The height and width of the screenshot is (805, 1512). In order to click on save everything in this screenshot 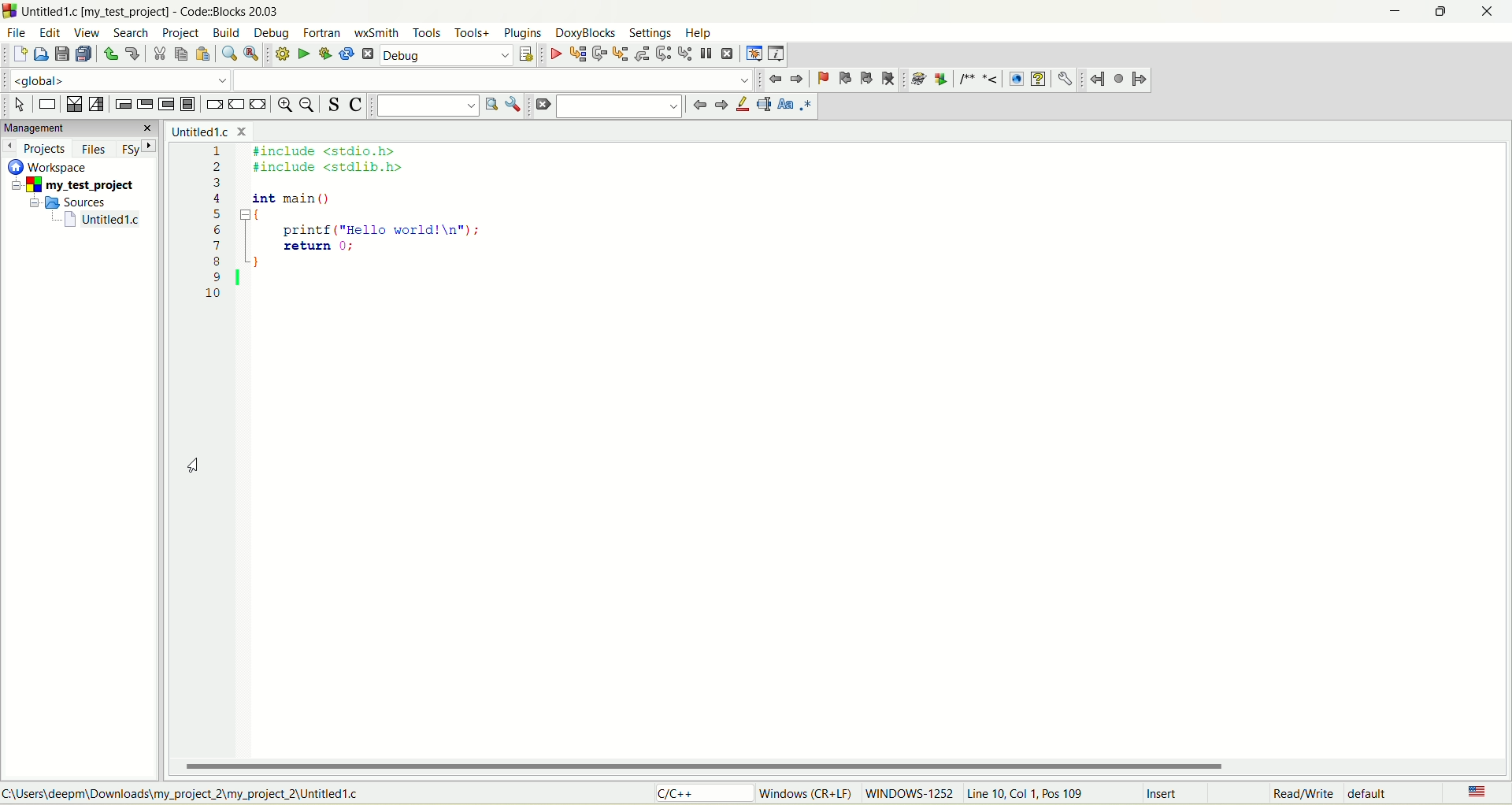, I will do `click(83, 55)`.